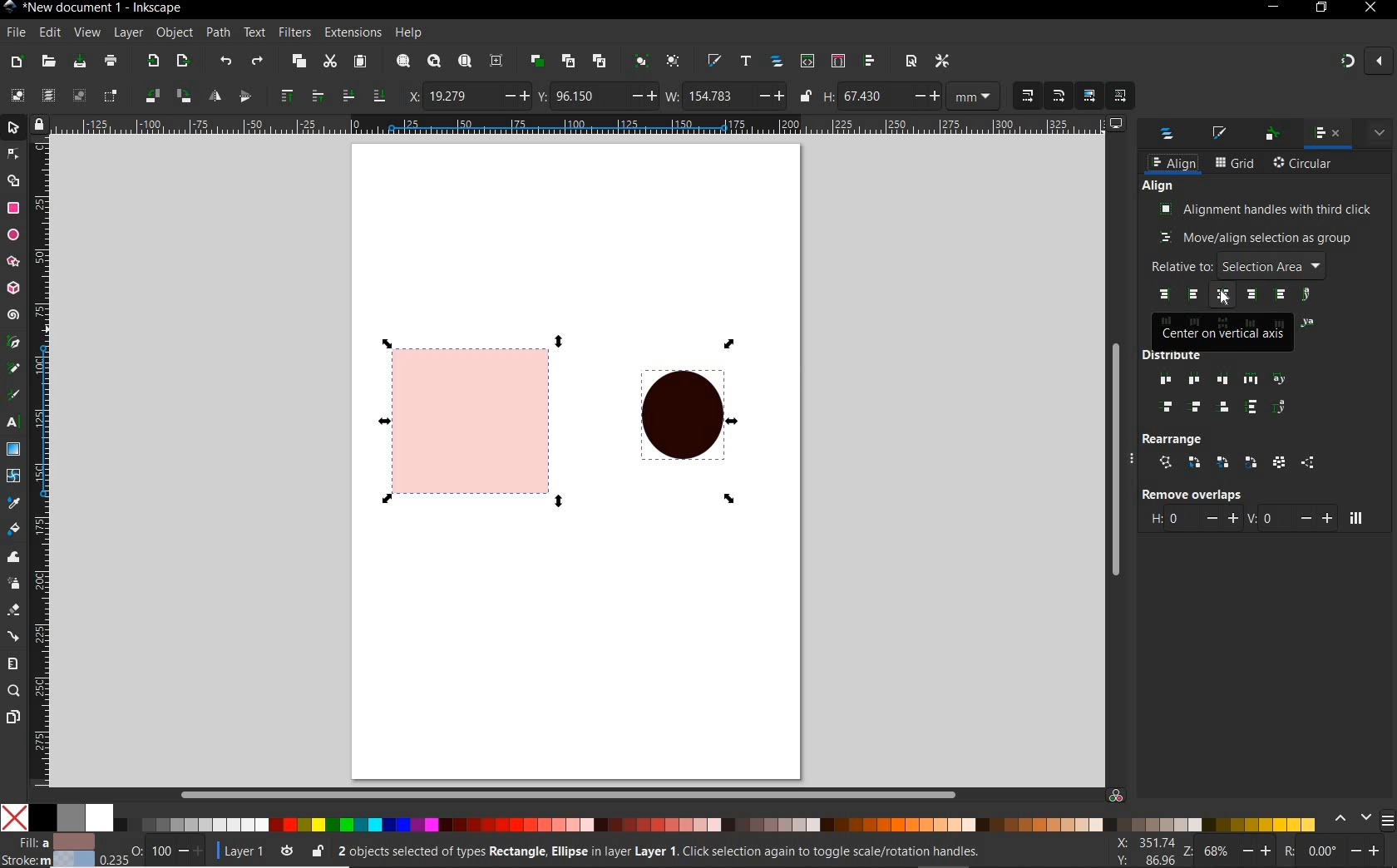  Describe the element at coordinates (726, 97) in the screenshot. I see `width selection` at that location.